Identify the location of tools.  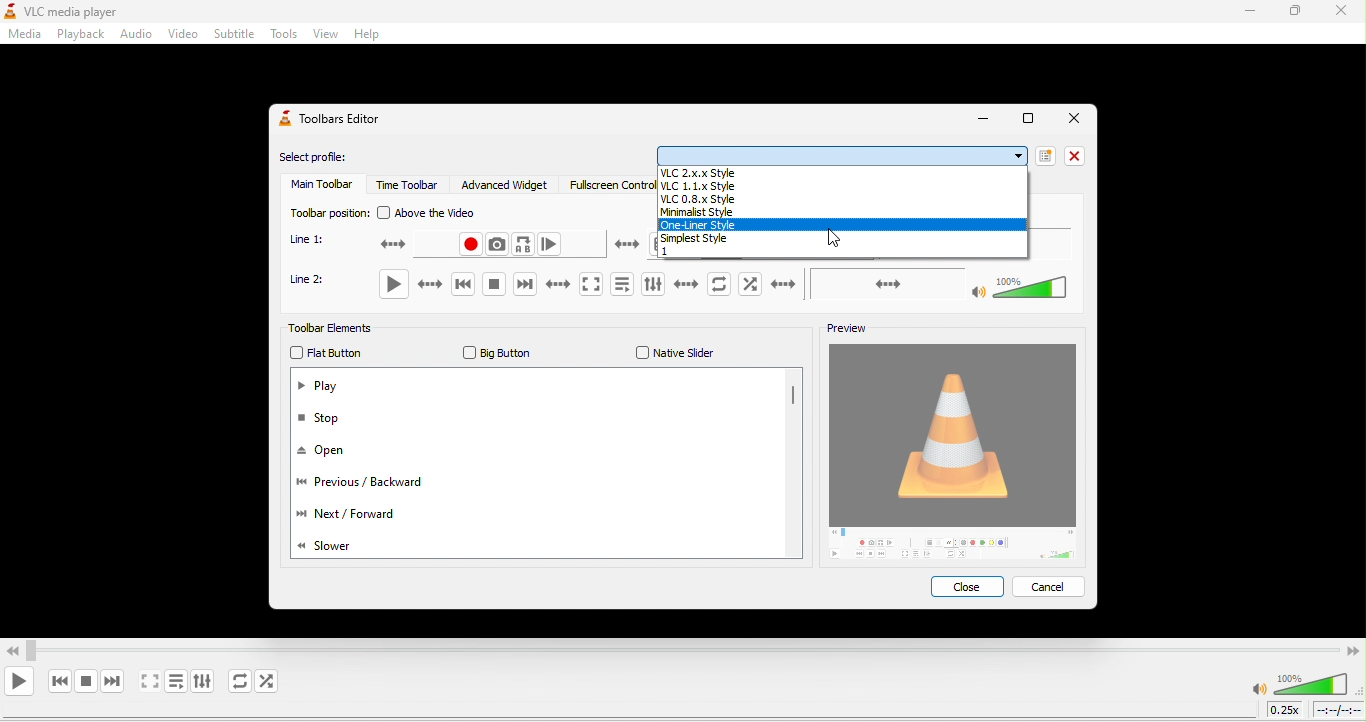
(282, 35).